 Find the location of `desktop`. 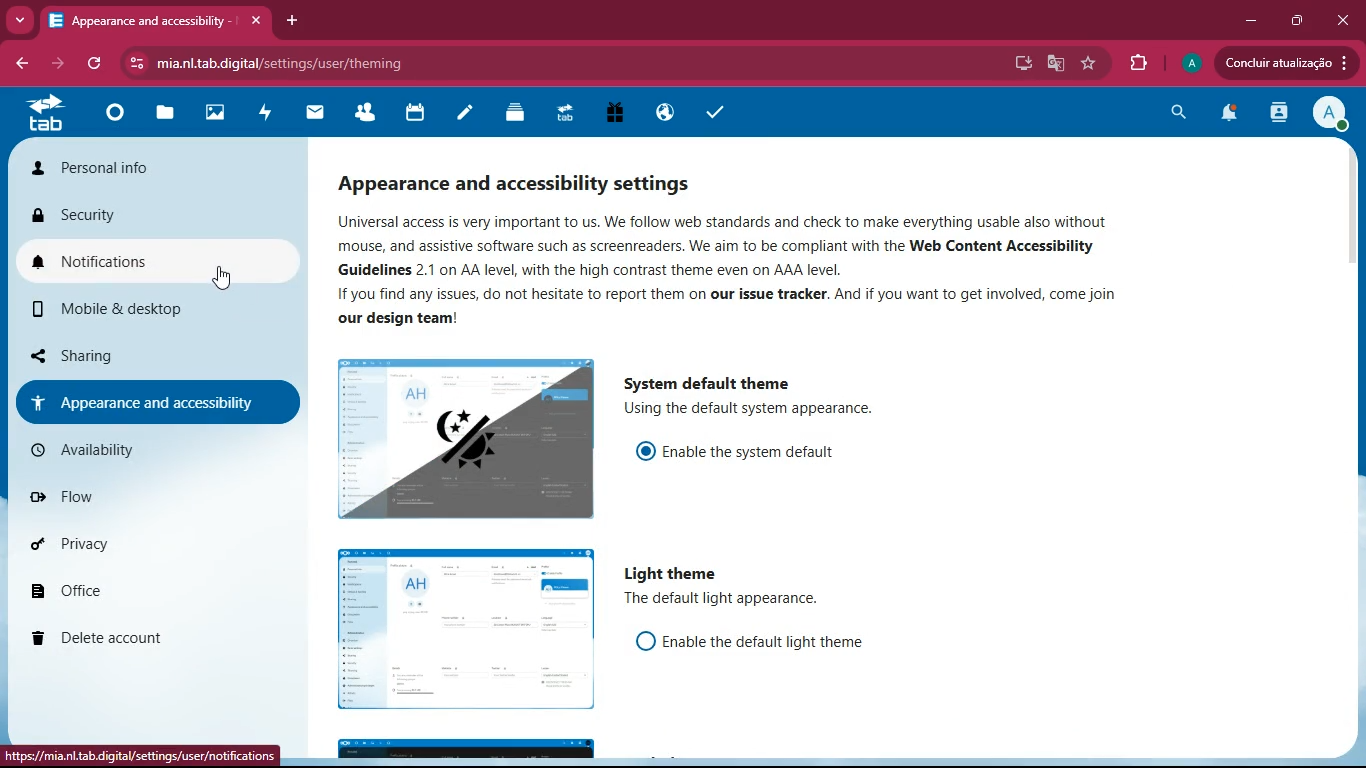

desktop is located at coordinates (1020, 65).